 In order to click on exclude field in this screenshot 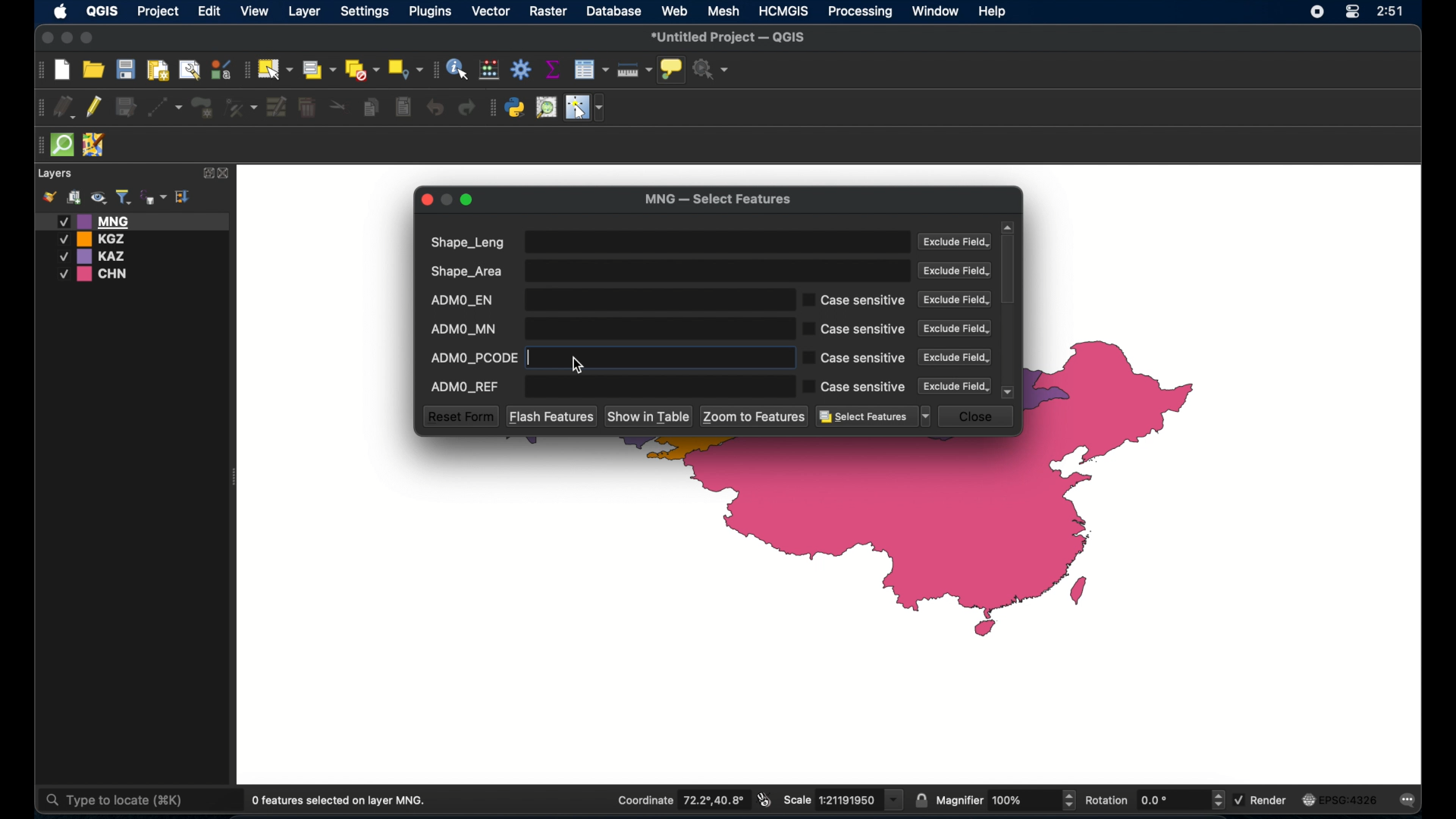, I will do `click(956, 386)`.